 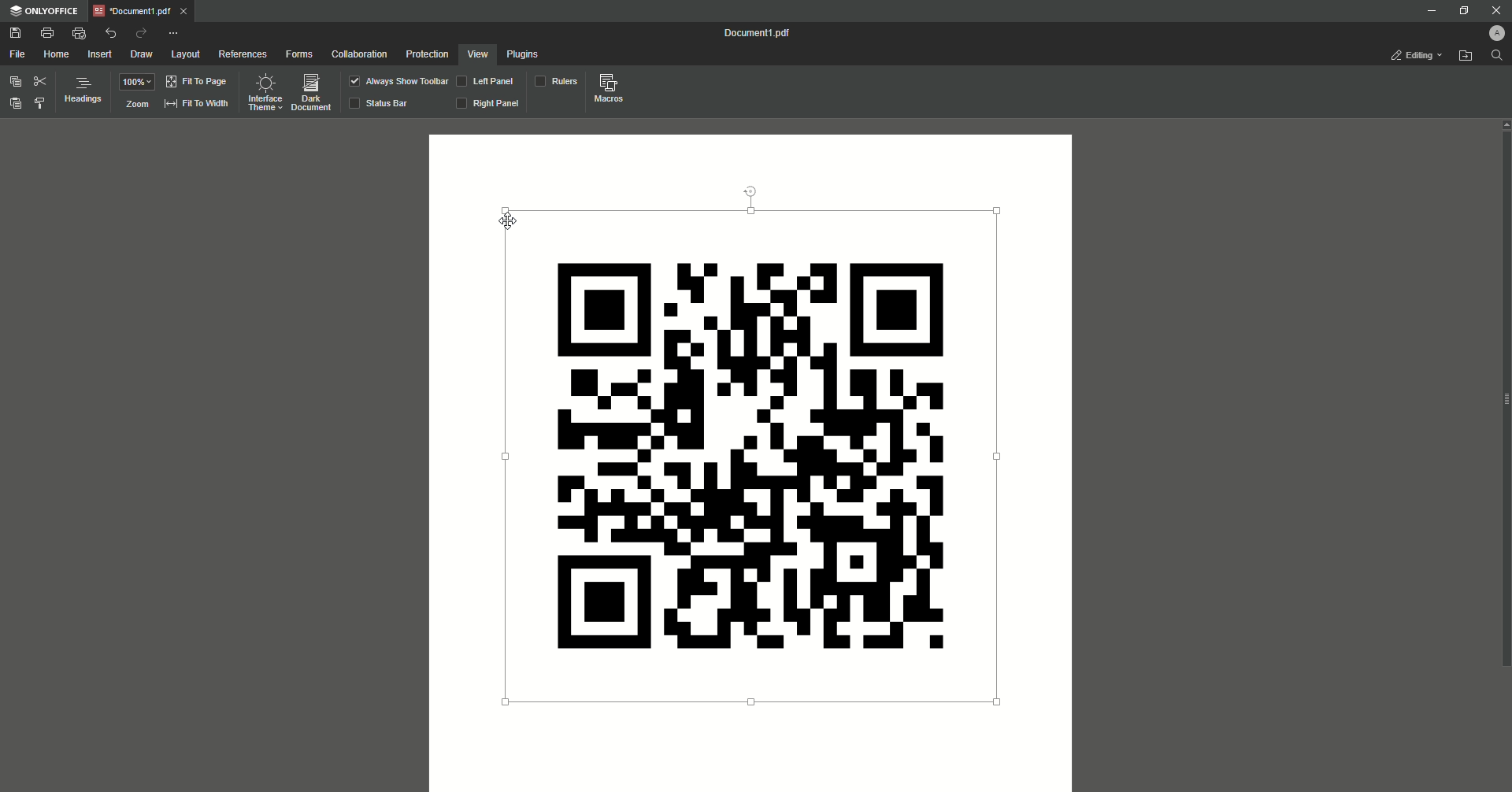 What do you see at coordinates (361, 54) in the screenshot?
I see `Collaboration` at bounding box center [361, 54].